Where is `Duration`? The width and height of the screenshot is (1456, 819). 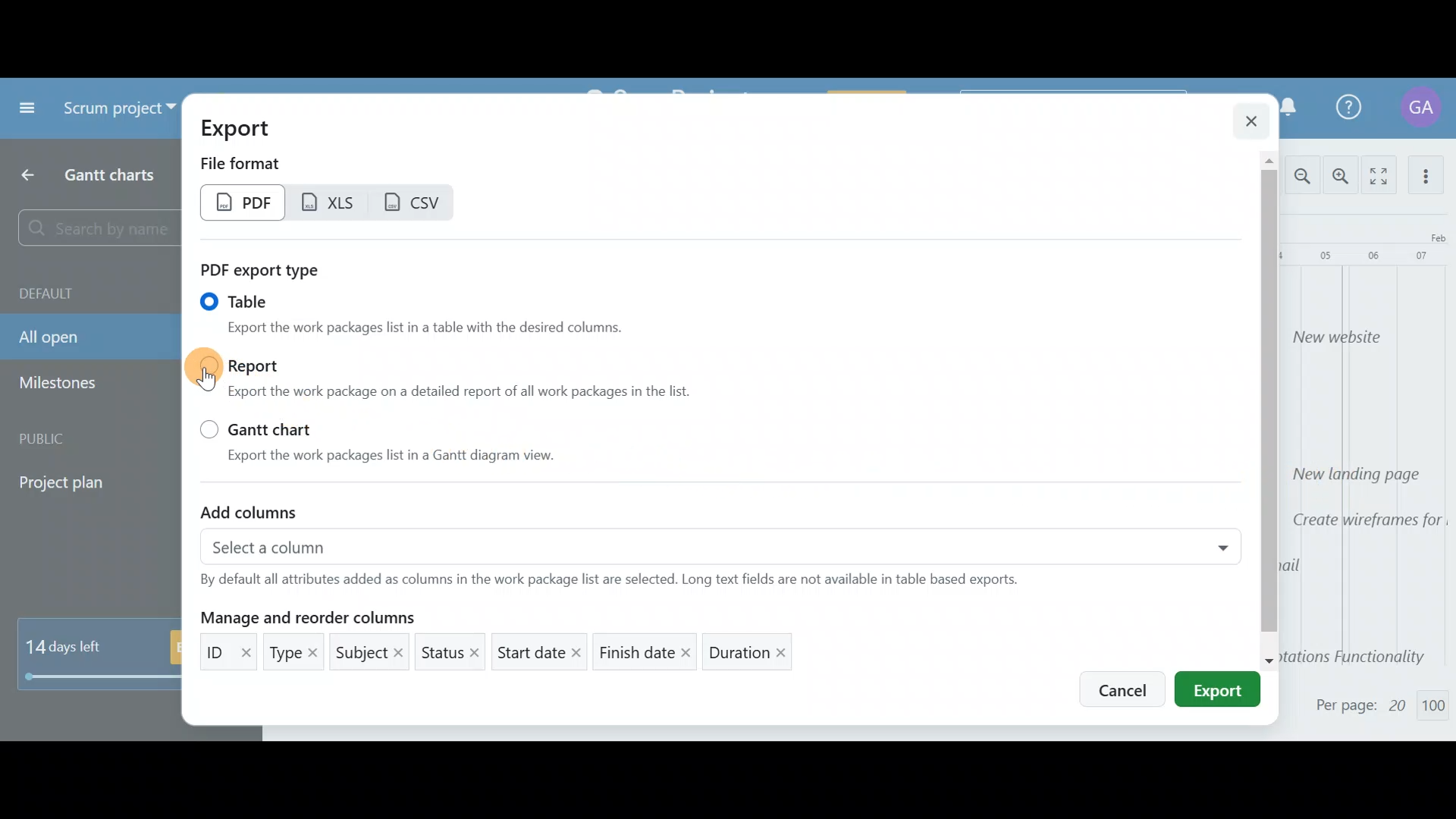 Duration is located at coordinates (748, 648).